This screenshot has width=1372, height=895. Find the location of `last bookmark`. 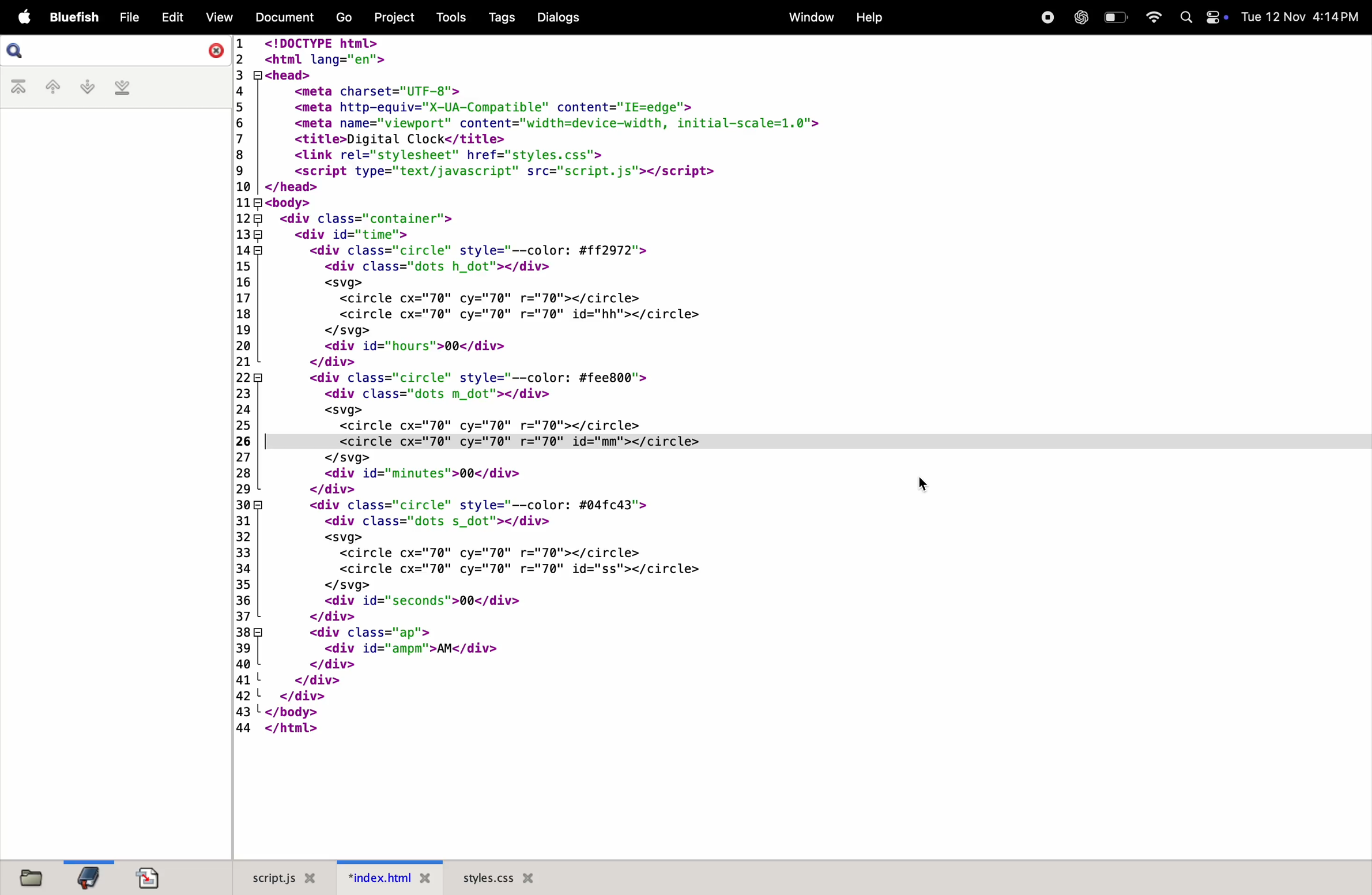

last bookmark is located at coordinates (120, 88).